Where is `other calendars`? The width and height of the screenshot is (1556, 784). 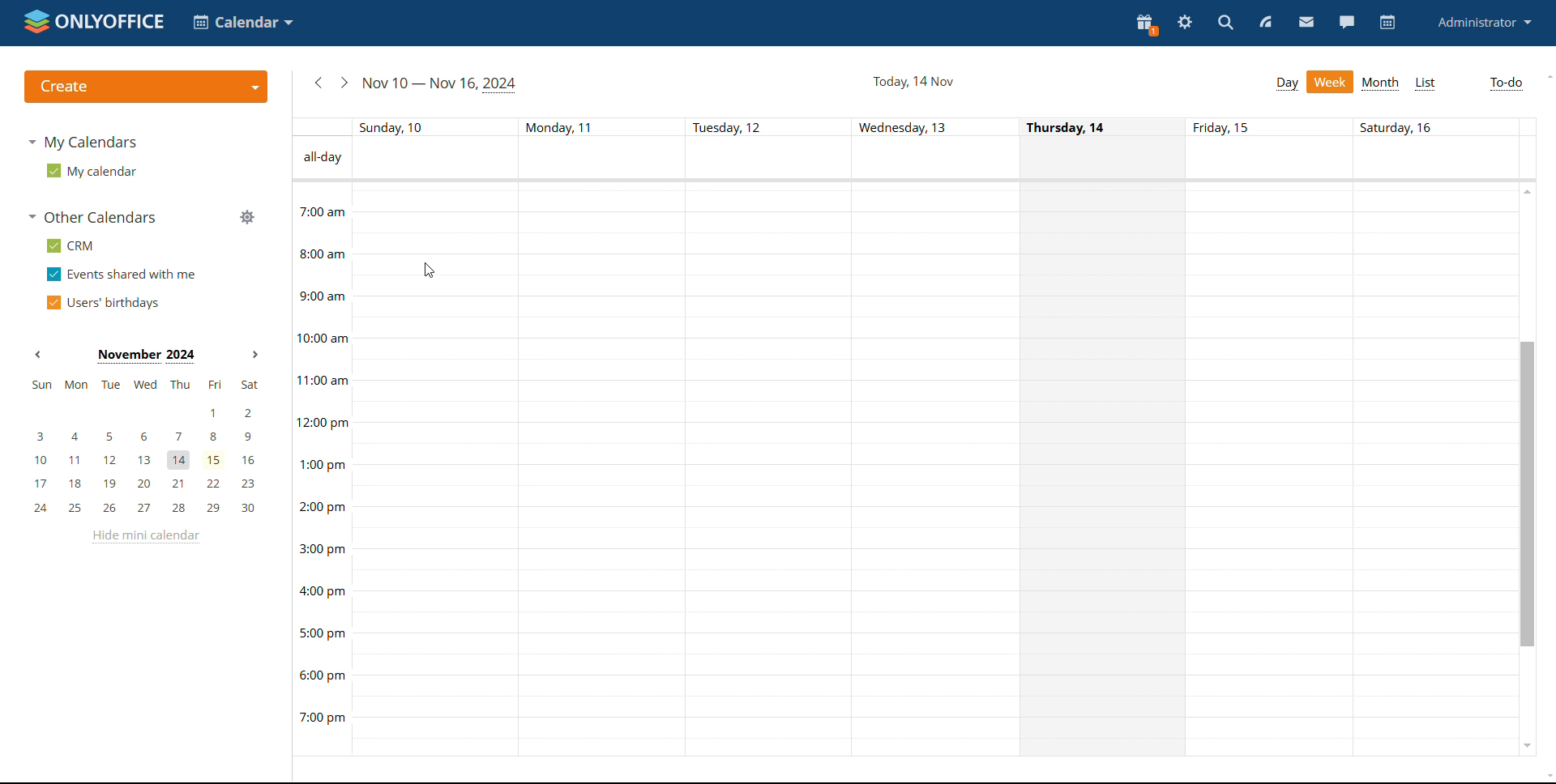
other calendars is located at coordinates (91, 219).